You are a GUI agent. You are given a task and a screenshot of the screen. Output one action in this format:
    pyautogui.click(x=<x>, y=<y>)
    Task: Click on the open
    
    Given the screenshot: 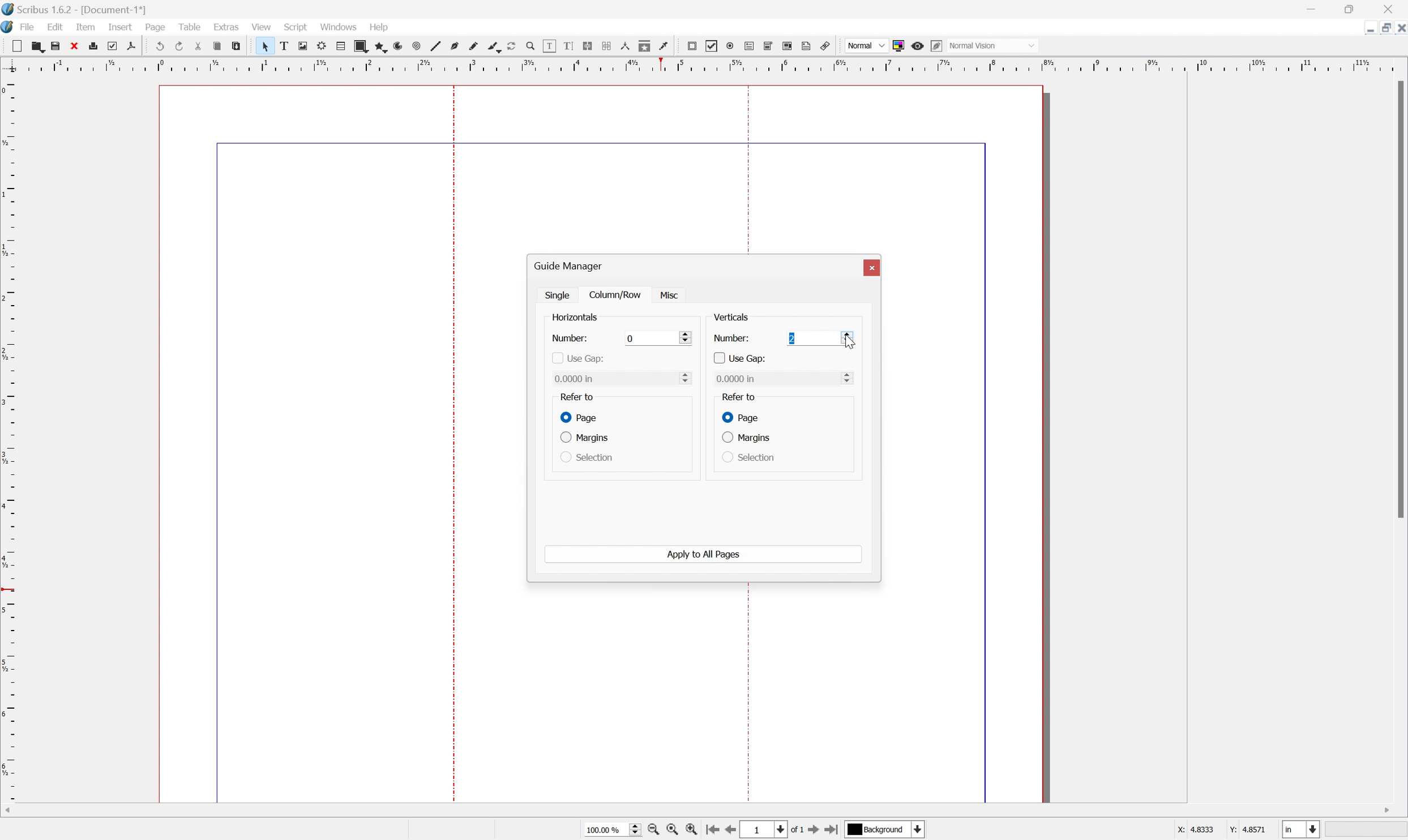 What is the action you would take?
    pyautogui.click(x=40, y=48)
    